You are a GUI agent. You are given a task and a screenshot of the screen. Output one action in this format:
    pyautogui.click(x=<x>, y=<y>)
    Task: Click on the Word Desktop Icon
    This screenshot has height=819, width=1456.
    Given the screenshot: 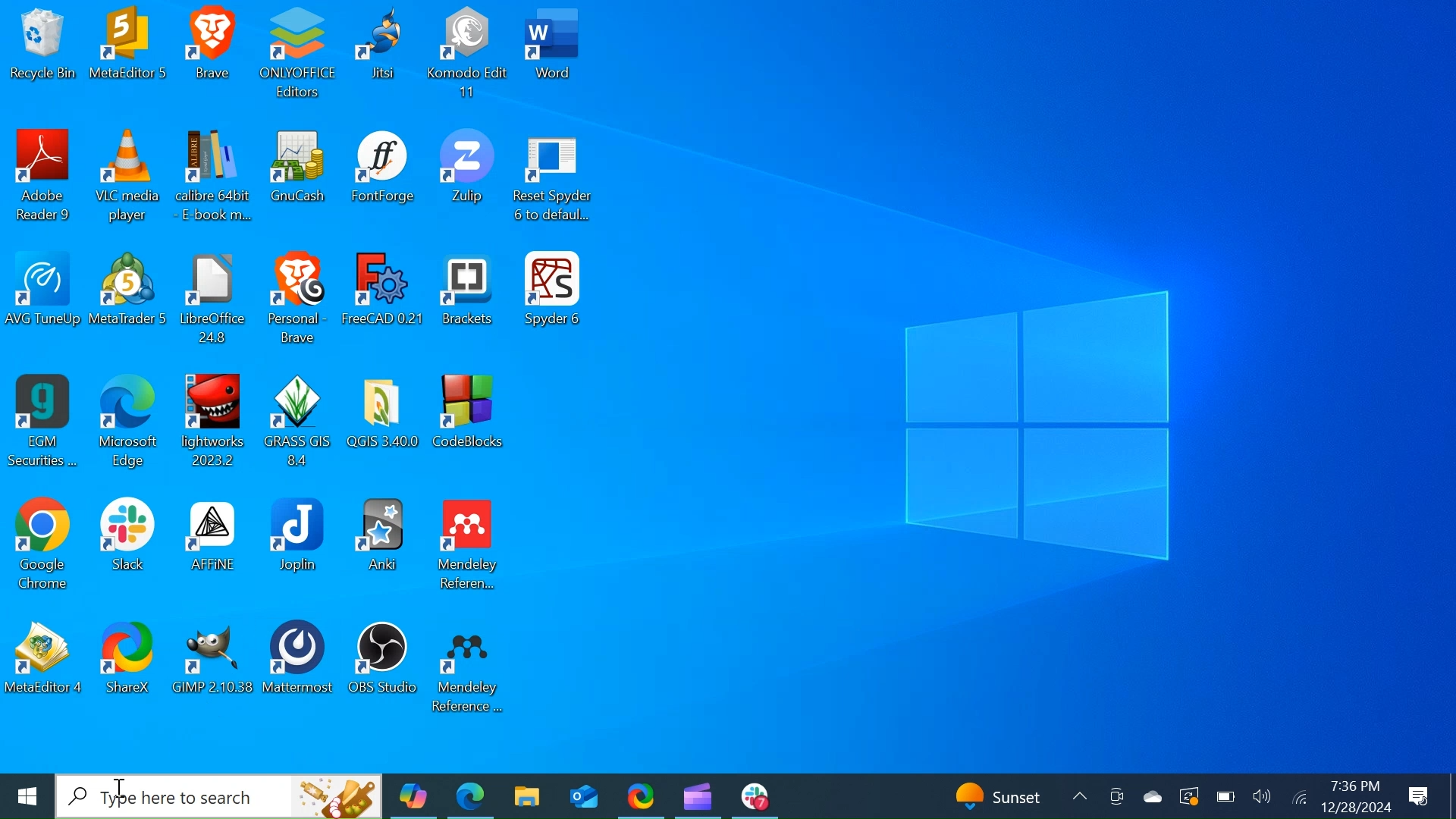 What is the action you would take?
    pyautogui.click(x=554, y=54)
    